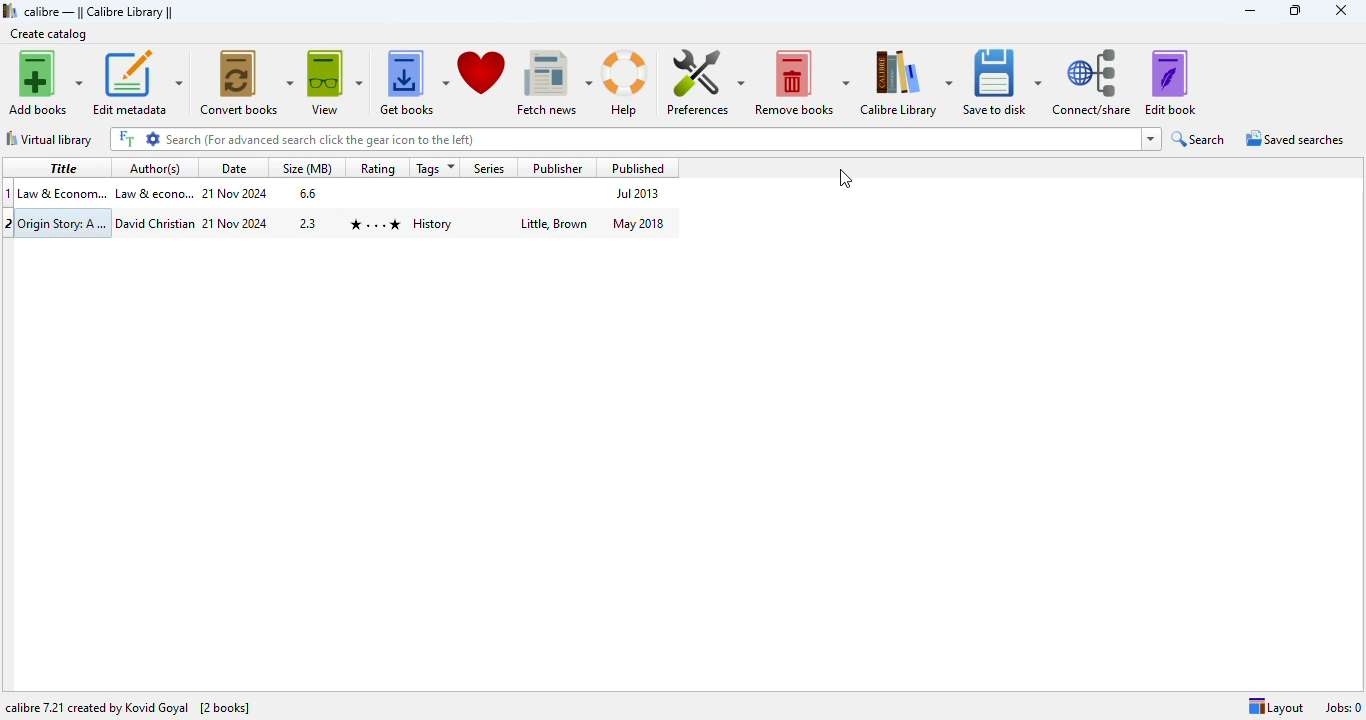  What do you see at coordinates (702, 80) in the screenshot?
I see `preferences` at bounding box center [702, 80].